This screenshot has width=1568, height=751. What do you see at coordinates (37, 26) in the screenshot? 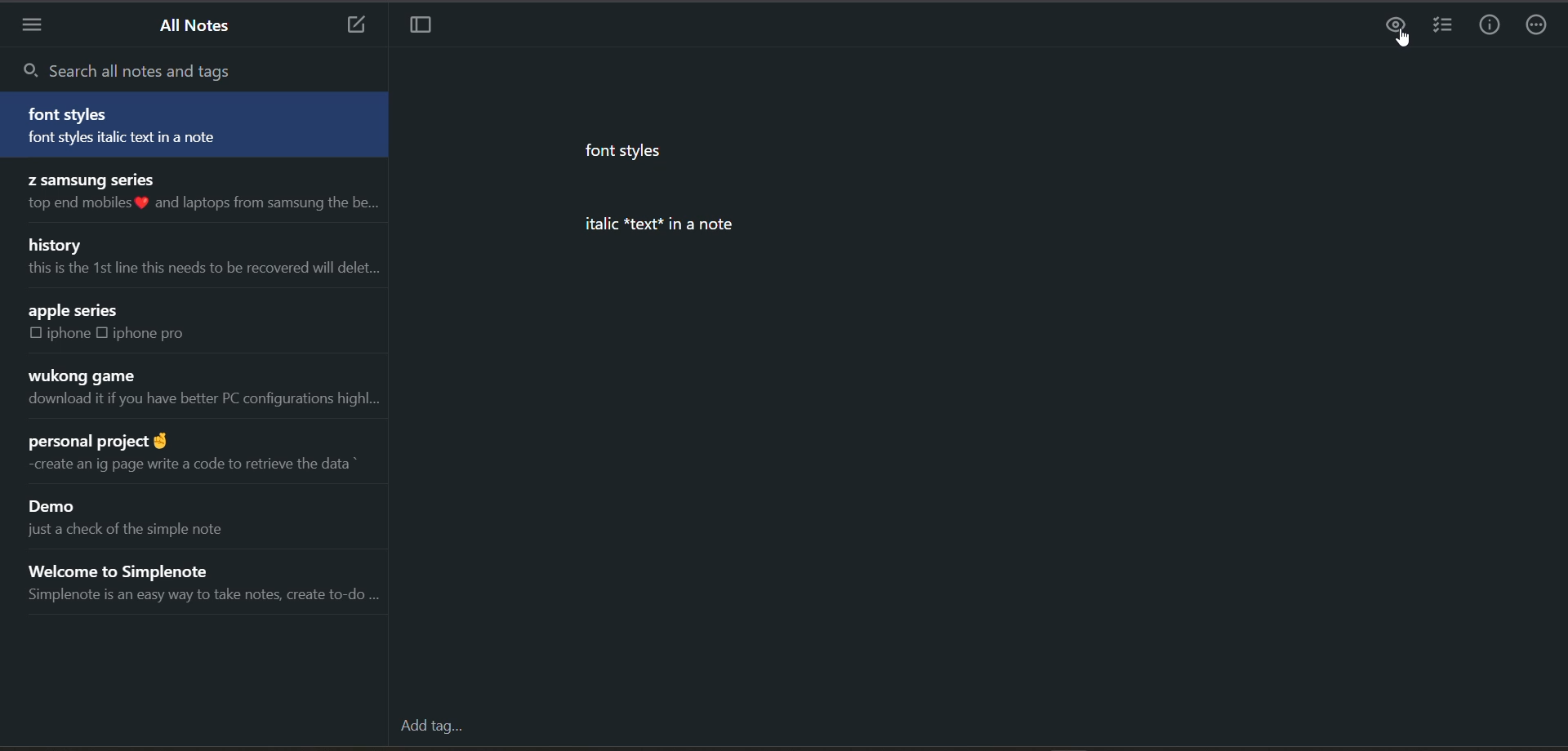
I see `menu` at bounding box center [37, 26].